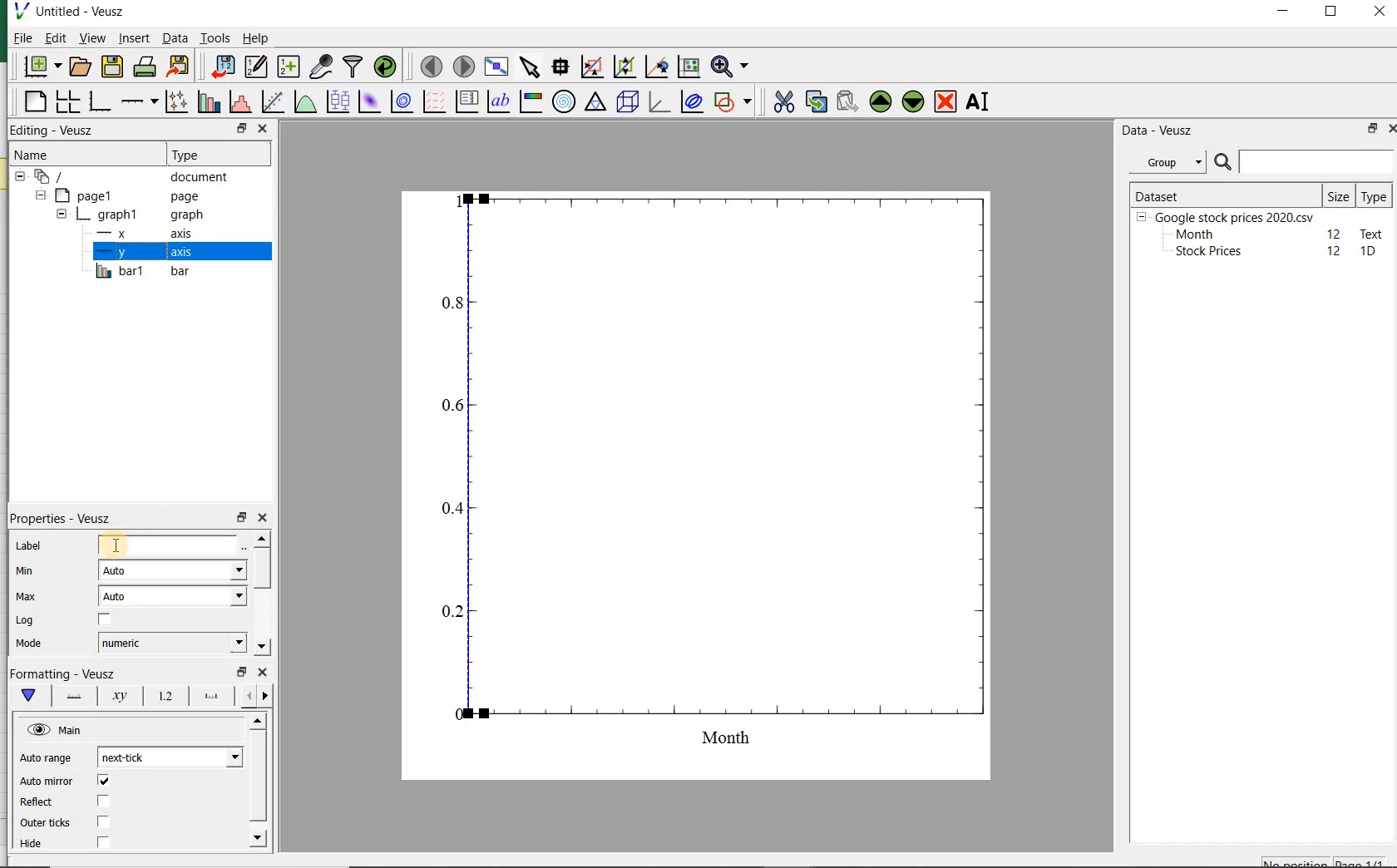 The image size is (1397, 868). Describe the element at coordinates (264, 518) in the screenshot. I see `close` at that location.